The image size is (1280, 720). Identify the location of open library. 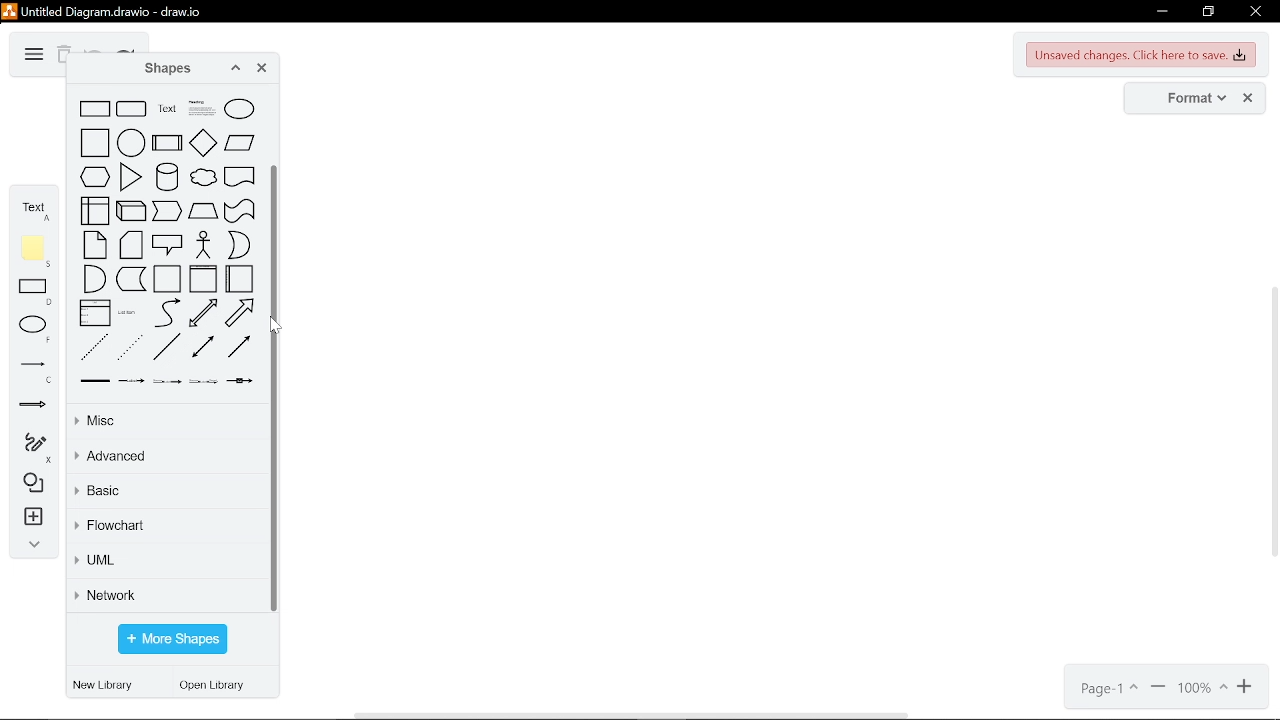
(217, 687).